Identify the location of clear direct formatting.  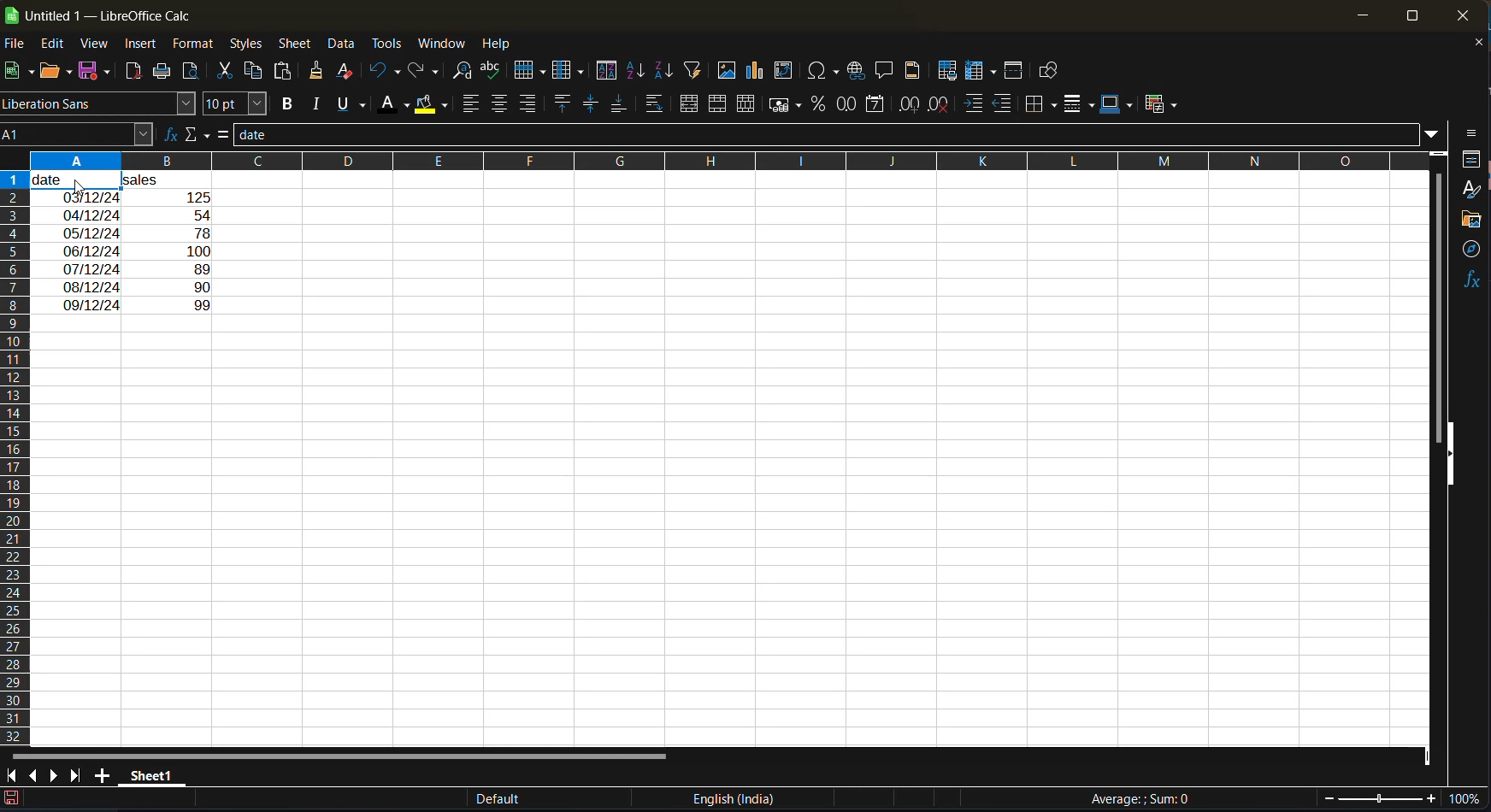
(349, 71).